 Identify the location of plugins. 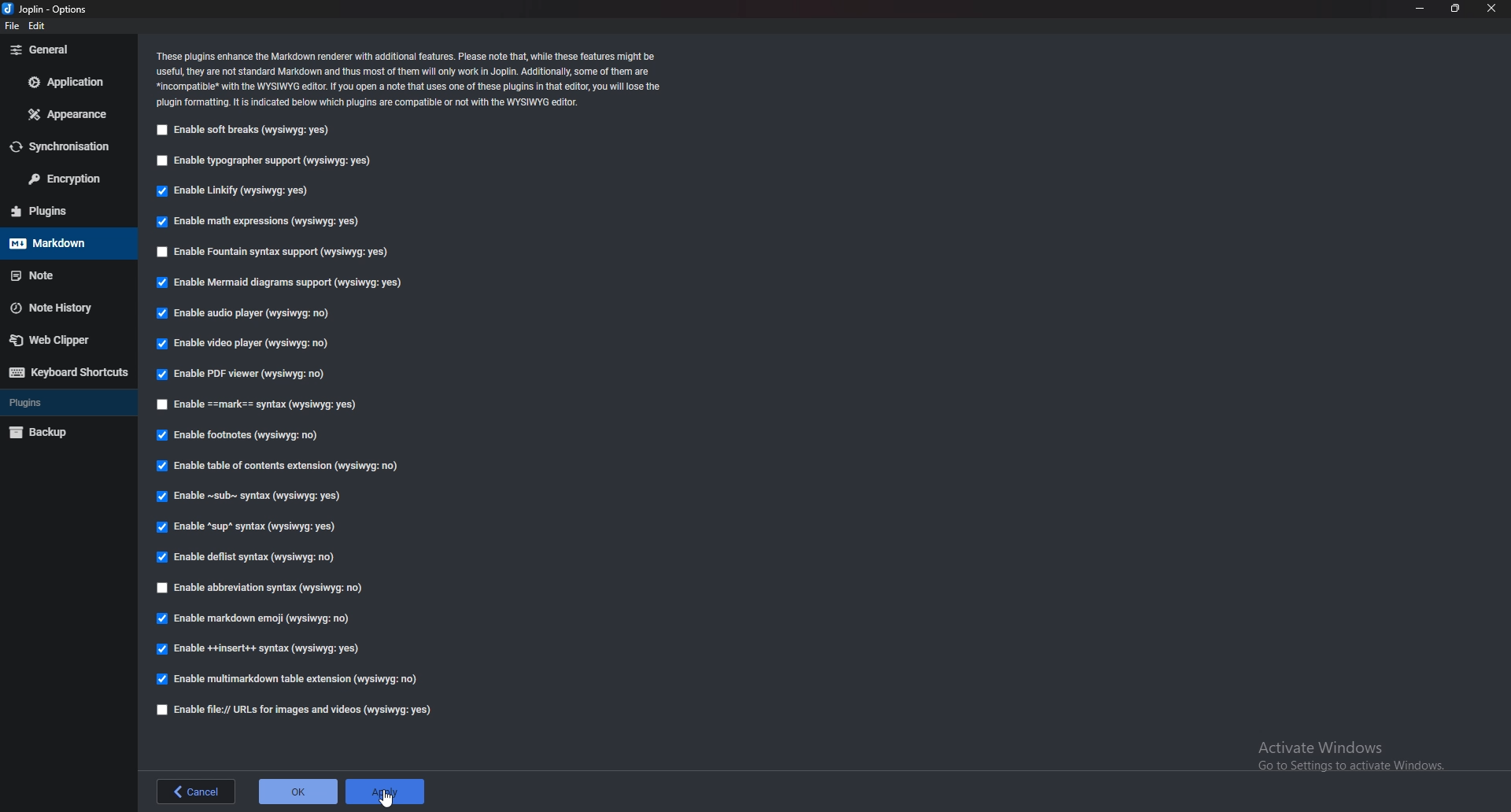
(61, 210).